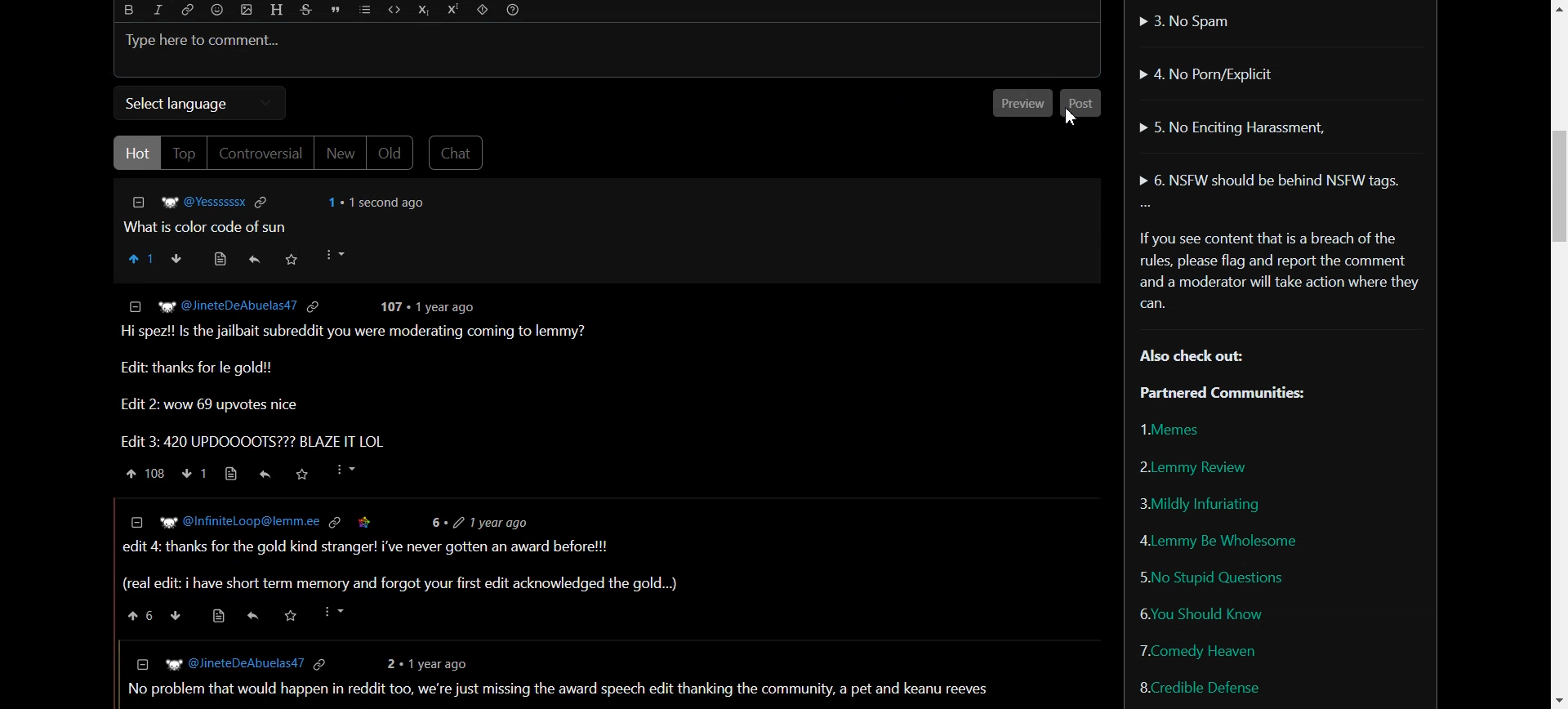  Describe the element at coordinates (364, 10) in the screenshot. I see `List` at that location.